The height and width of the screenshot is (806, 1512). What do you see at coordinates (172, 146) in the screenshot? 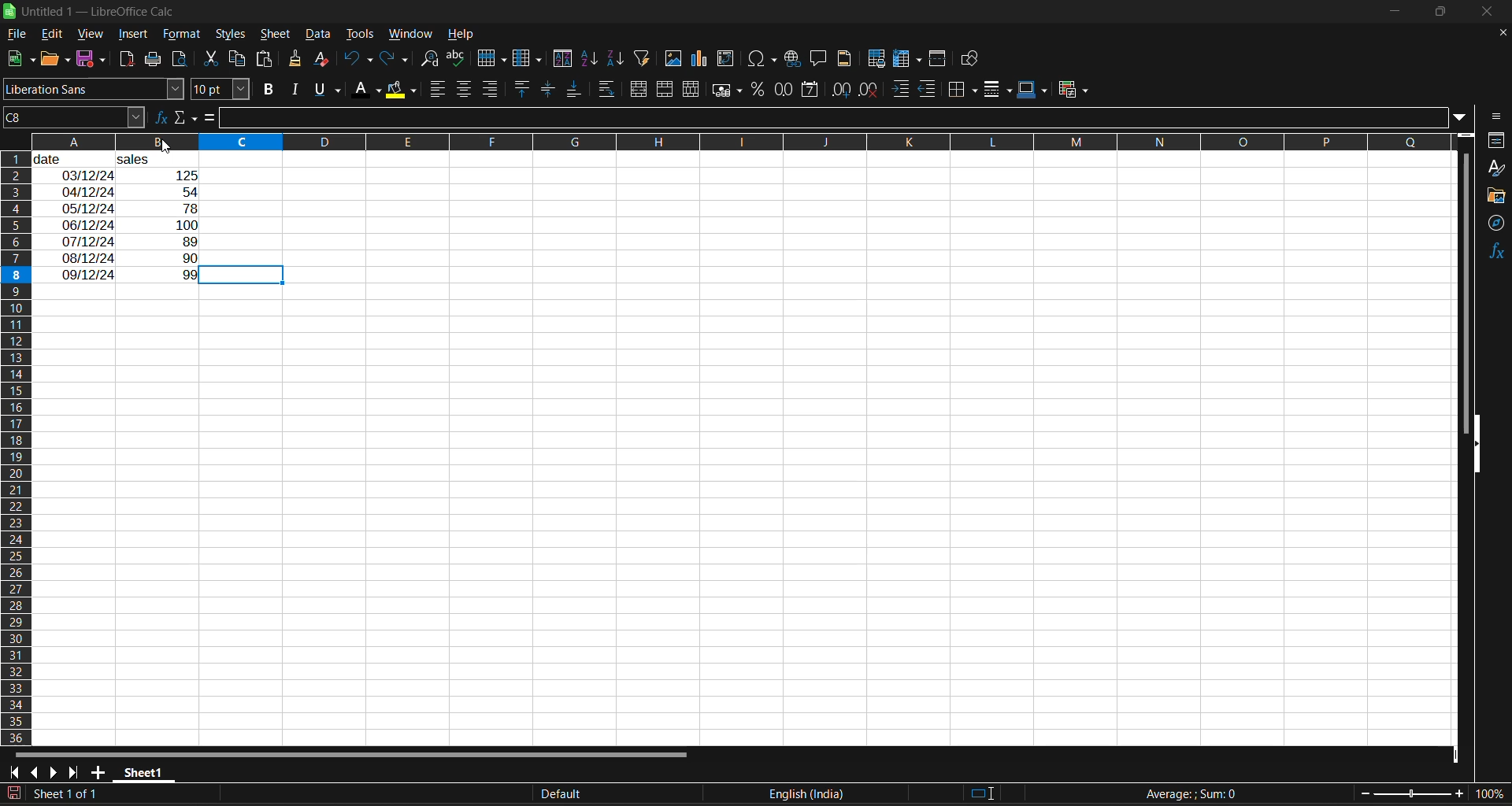
I see `cursor` at bounding box center [172, 146].